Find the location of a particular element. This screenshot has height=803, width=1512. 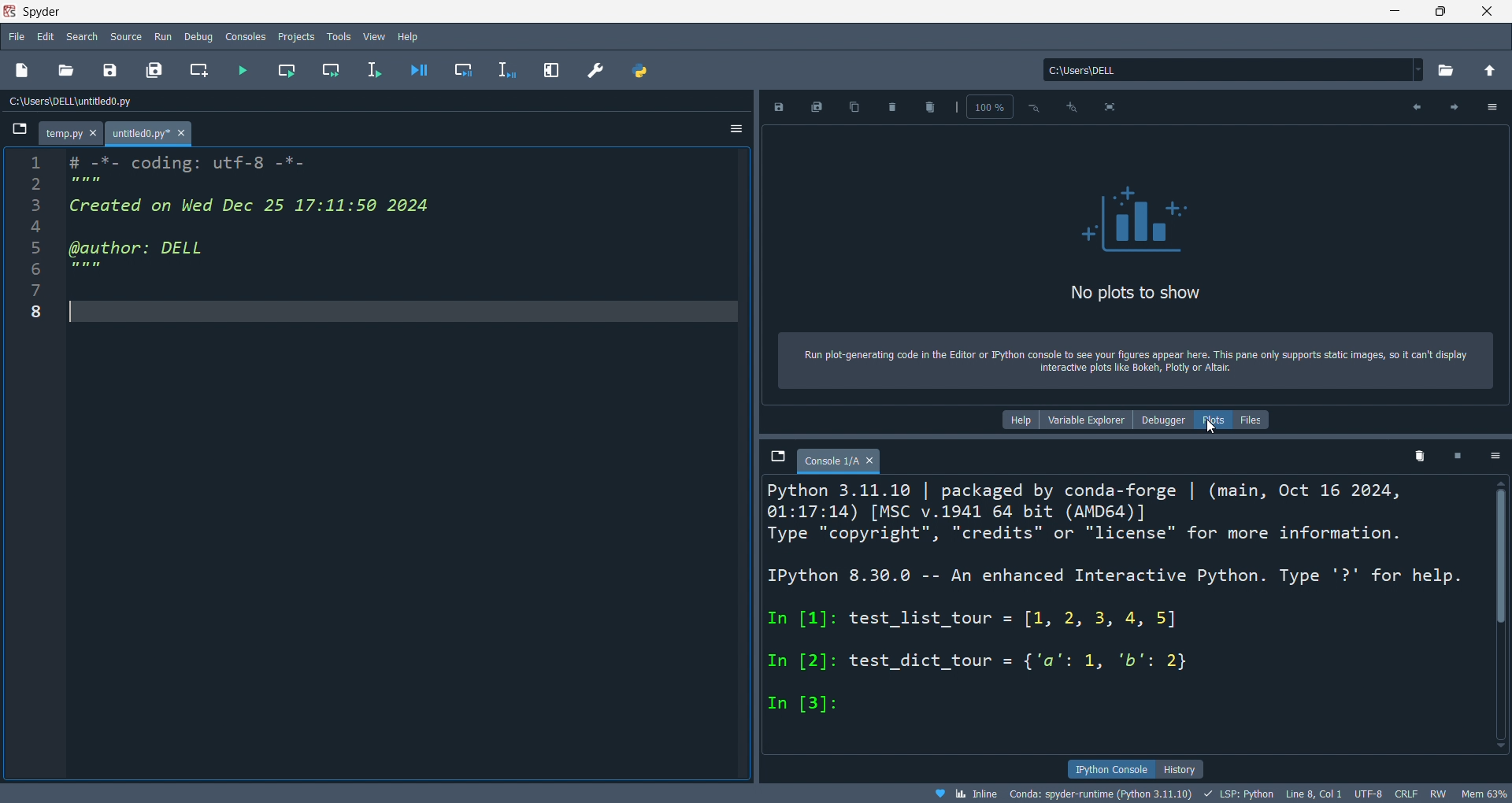

debug is located at coordinates (198, 35).